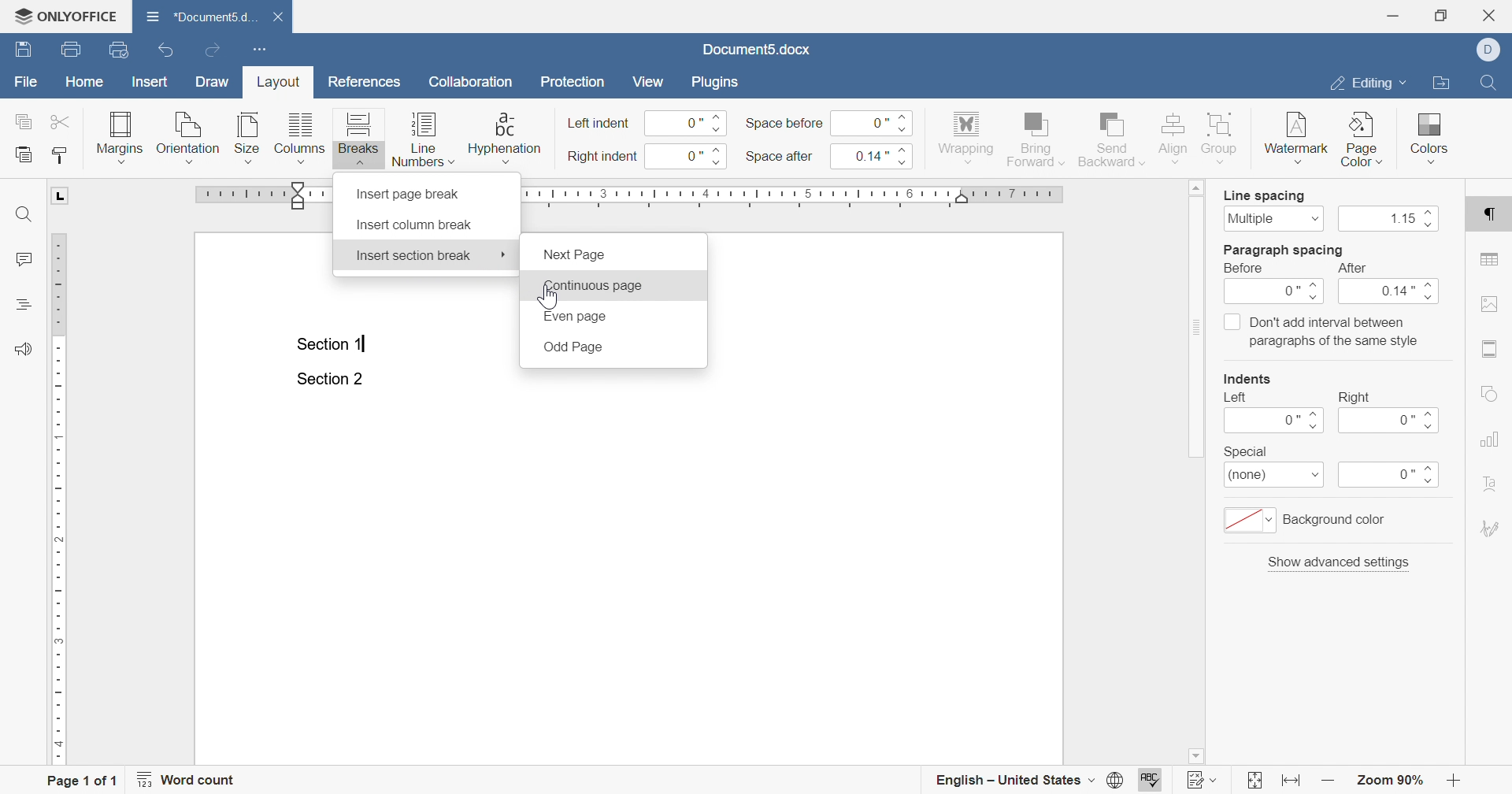 Image resolution: width=1512 pixels, height=794 pixels. What do you see at coordinates (1250, 379) in the screenshot?
I see `indents` at bounding box center [1250, 379].